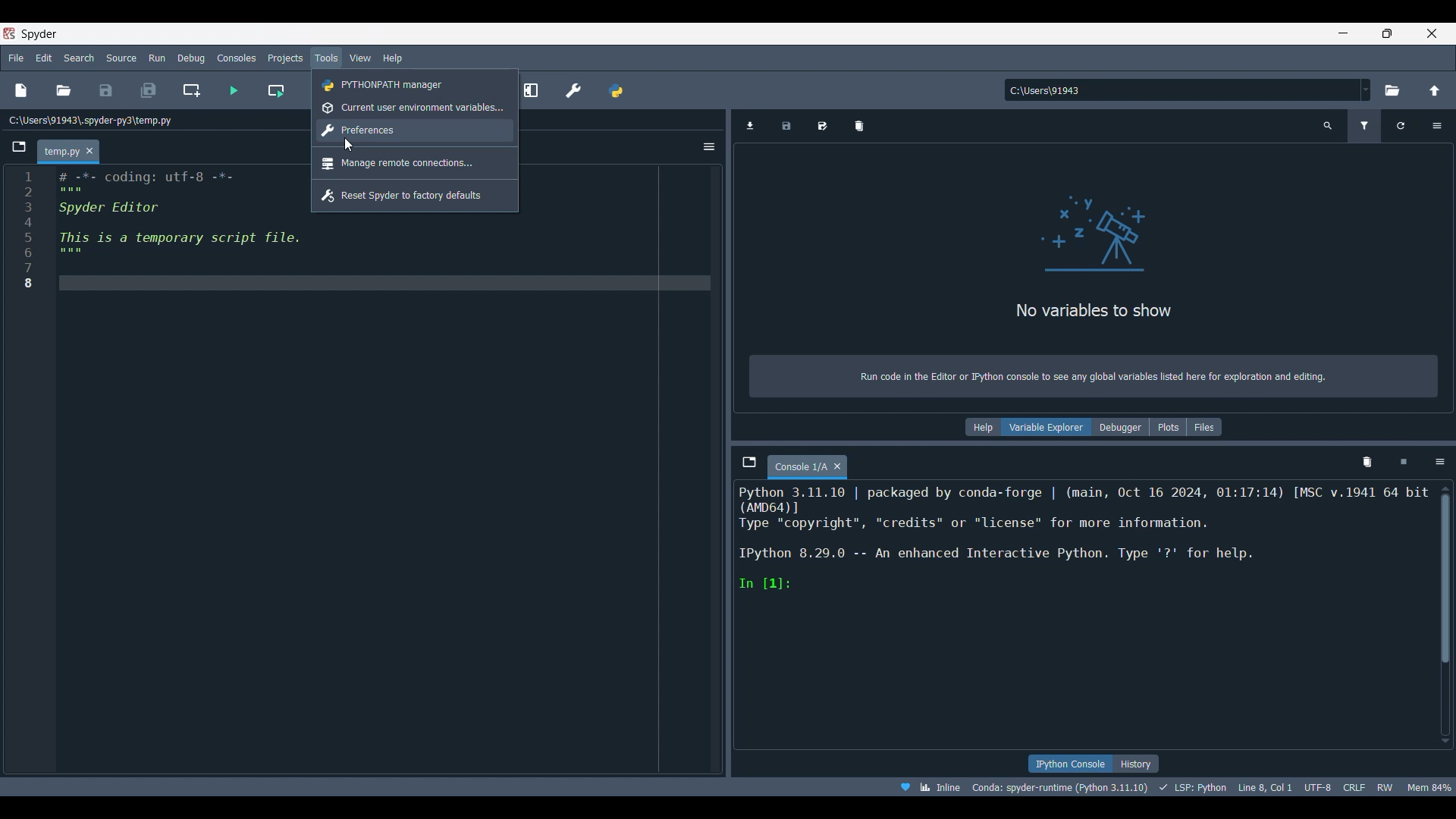  Describe the element at coordinates (1367, 463) in the screenshot. I see `Remove all variables from namespace` at that location.